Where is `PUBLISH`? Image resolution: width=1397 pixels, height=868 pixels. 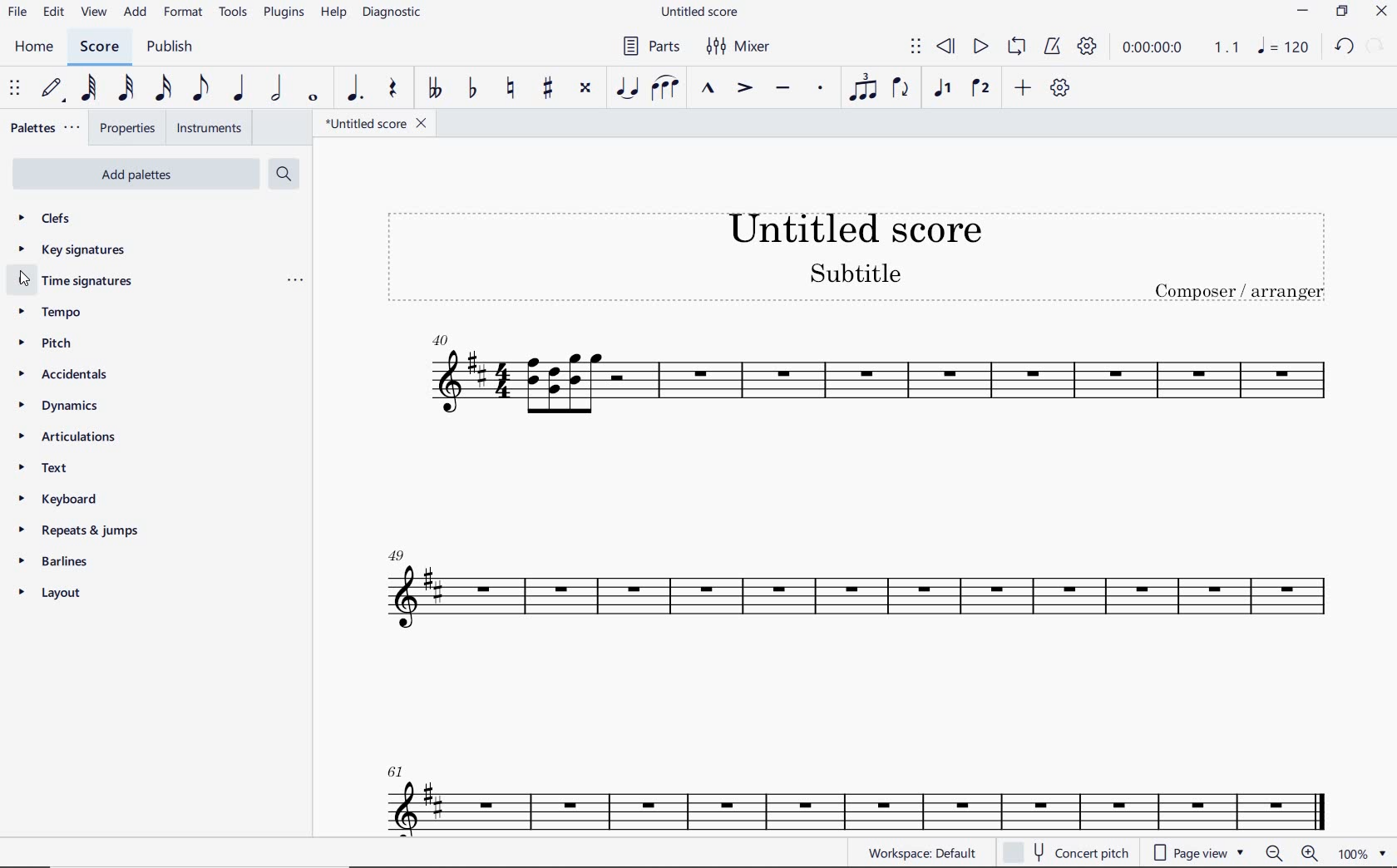 PUBLISH is located at coordinates (173, 47).